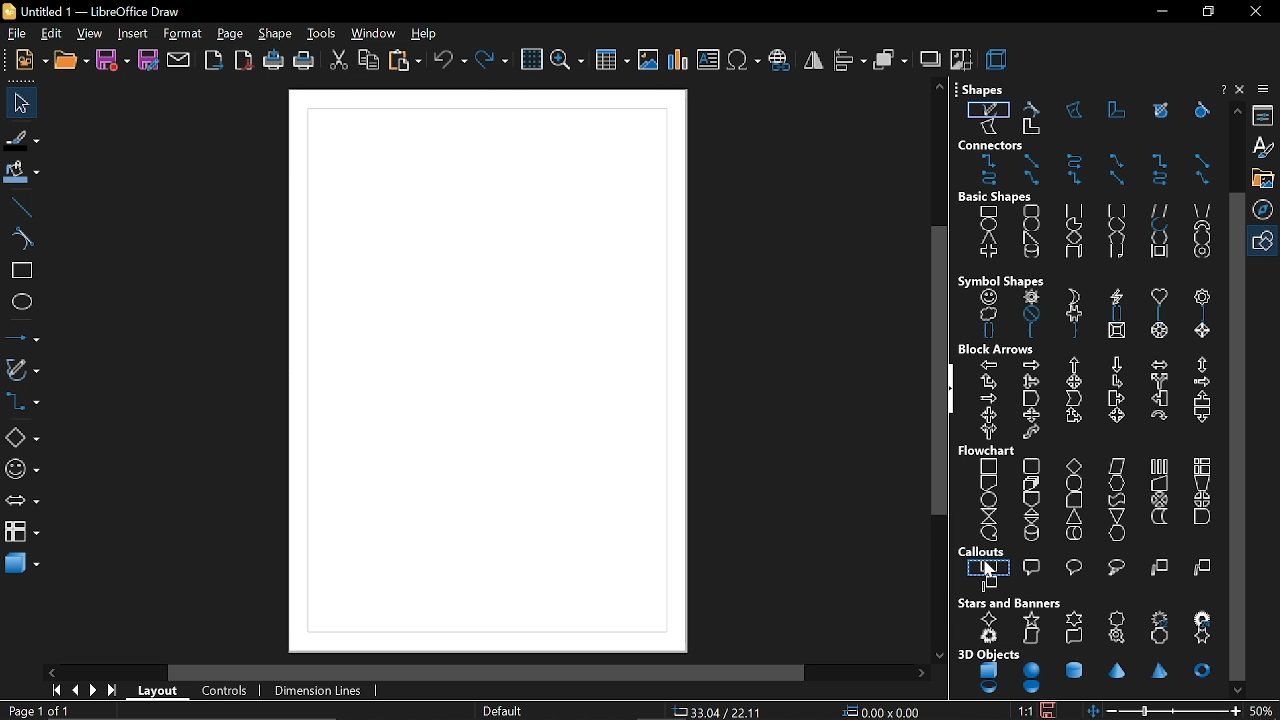 The height and width of the screenshot is (720, 1280). Describe the element at coordinates (744, 61) in the screenshot. I see `insert symbol` at that location.